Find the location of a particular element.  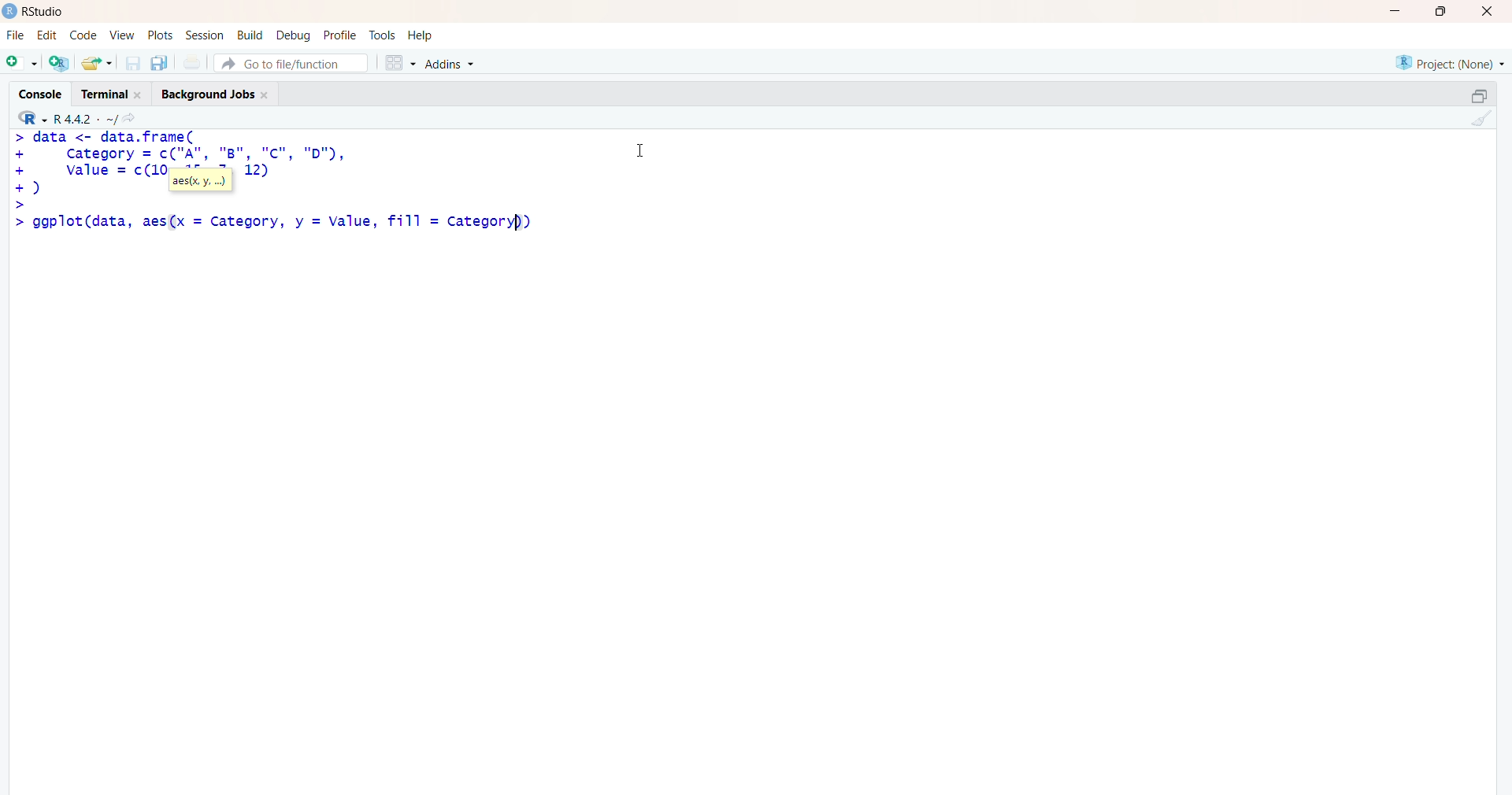

tools is located at coordinates (384, 35).